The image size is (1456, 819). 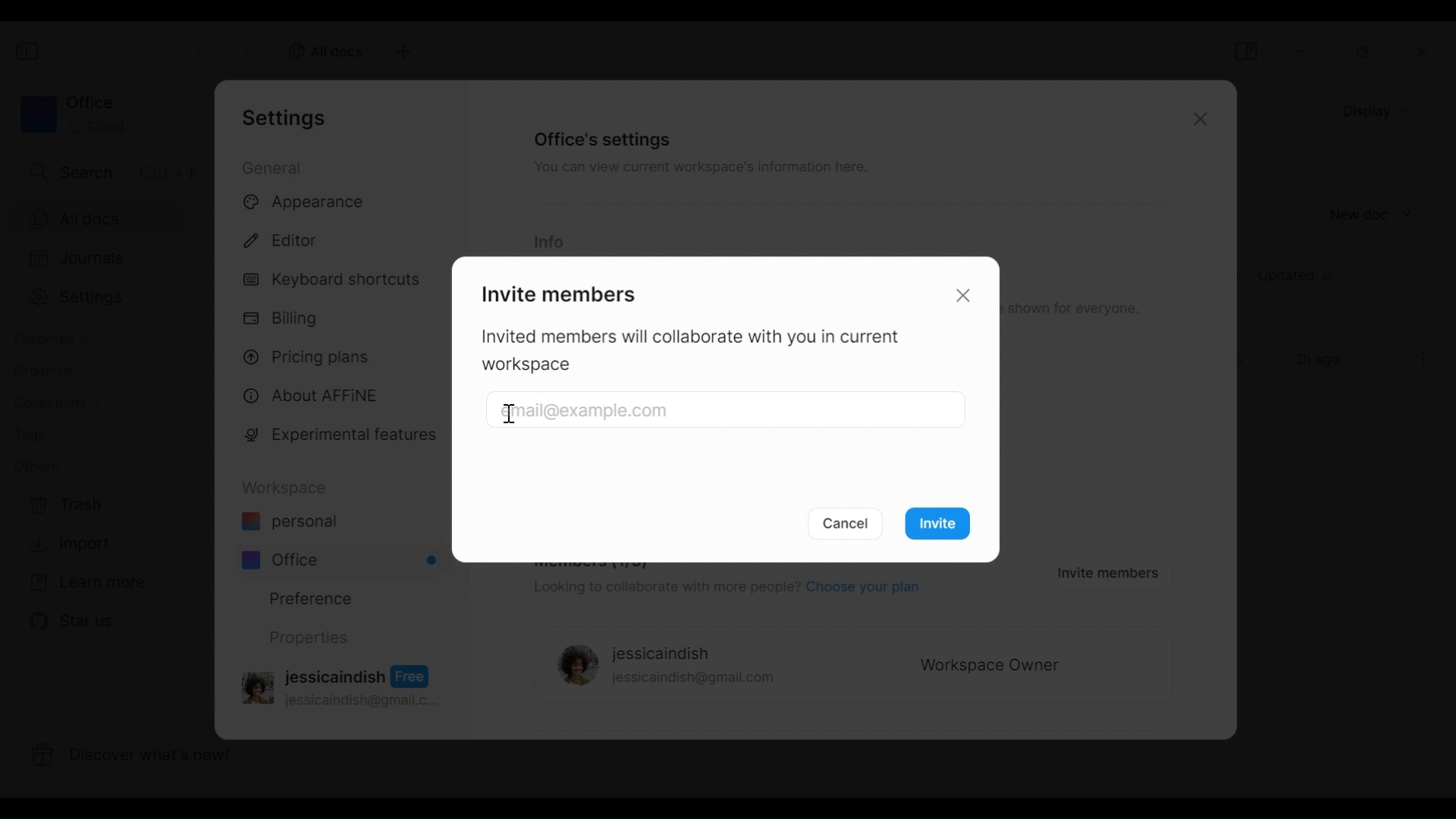 What do you see at coordinates (1302, 278) in the screenshot?
I see `Updated` at bounding box center [1302, 278].